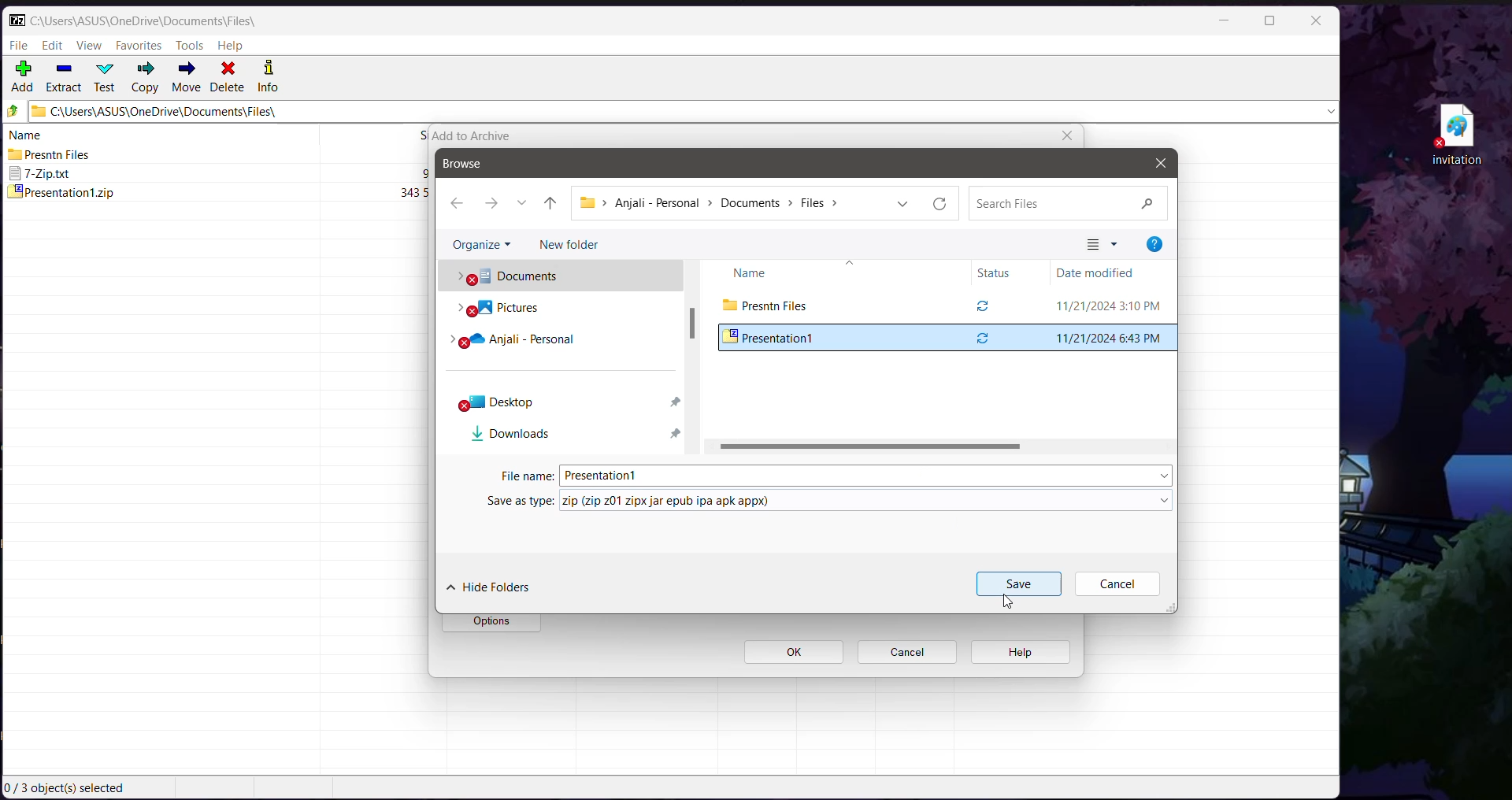  What do you see at coordinates (189, 46) in the screenshot?
I see `Tools` at bounding box center [189, 46].